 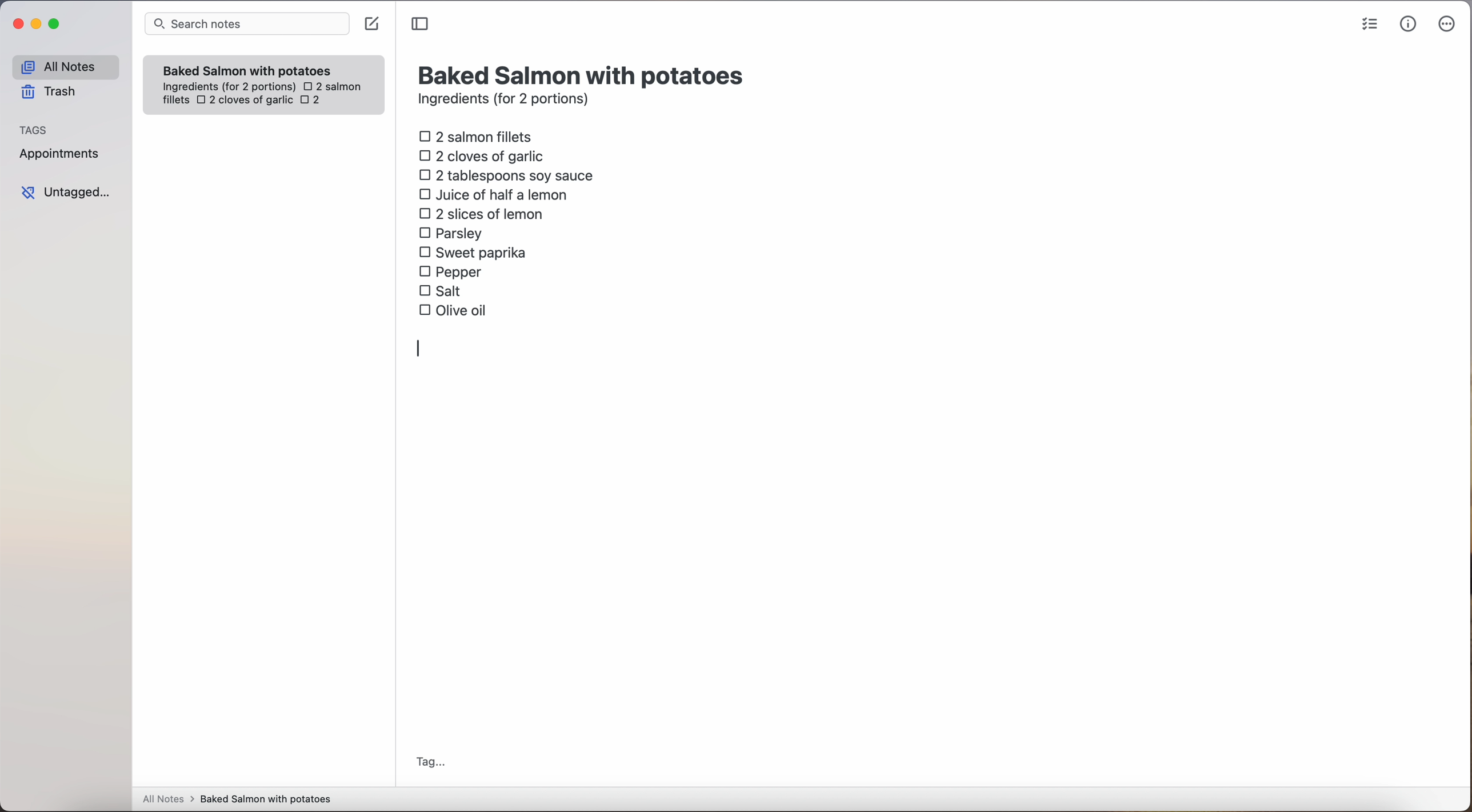 I want to click on create note, so click(x=371, y=24).